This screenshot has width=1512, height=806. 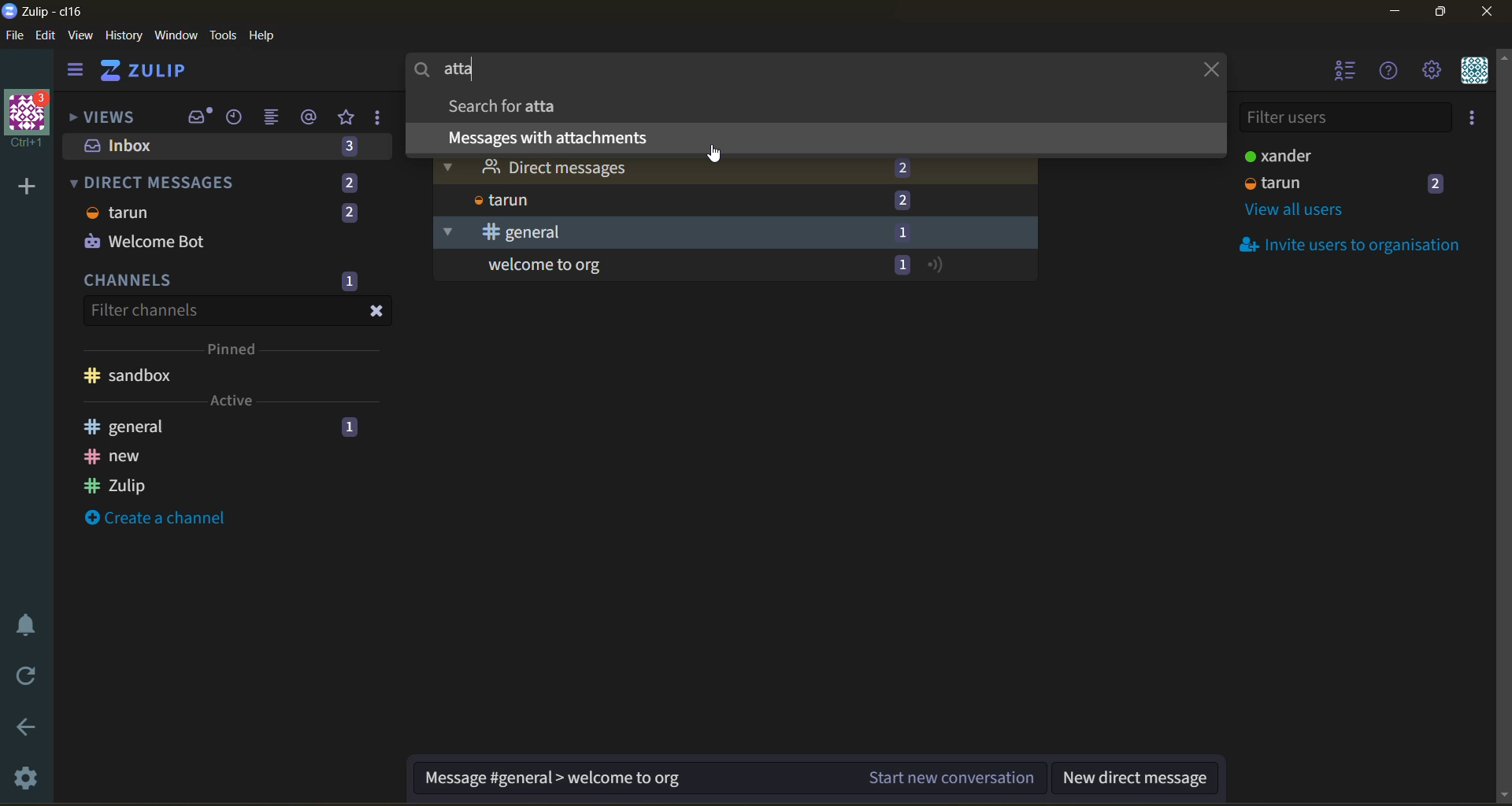 What do you see at coordinates (901, 265) in the screenshot?
I see `1` at bounding box center [901, 265].